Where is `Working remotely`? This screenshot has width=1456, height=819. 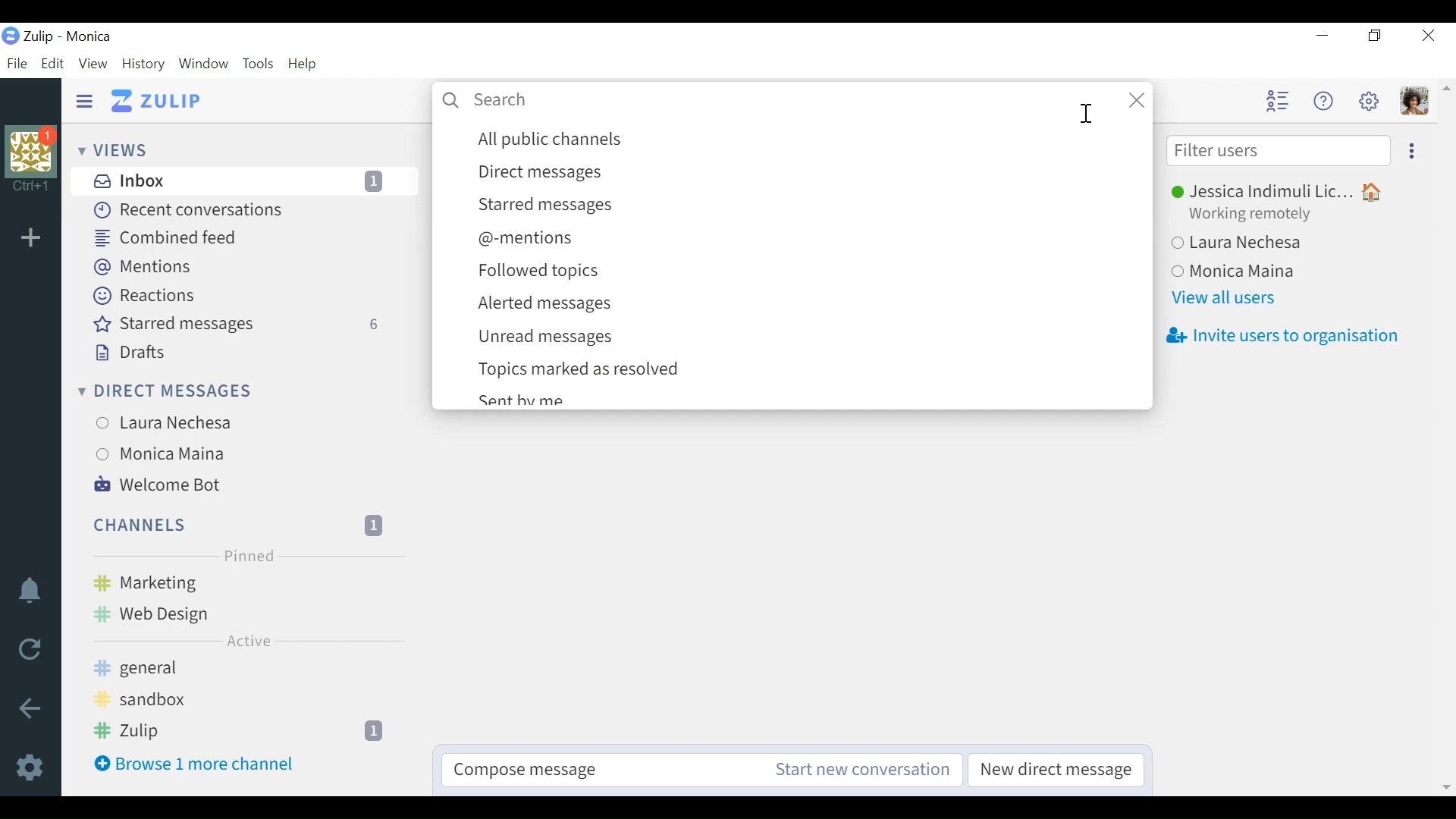
Working remotely is located at coordinates (1260, 213).